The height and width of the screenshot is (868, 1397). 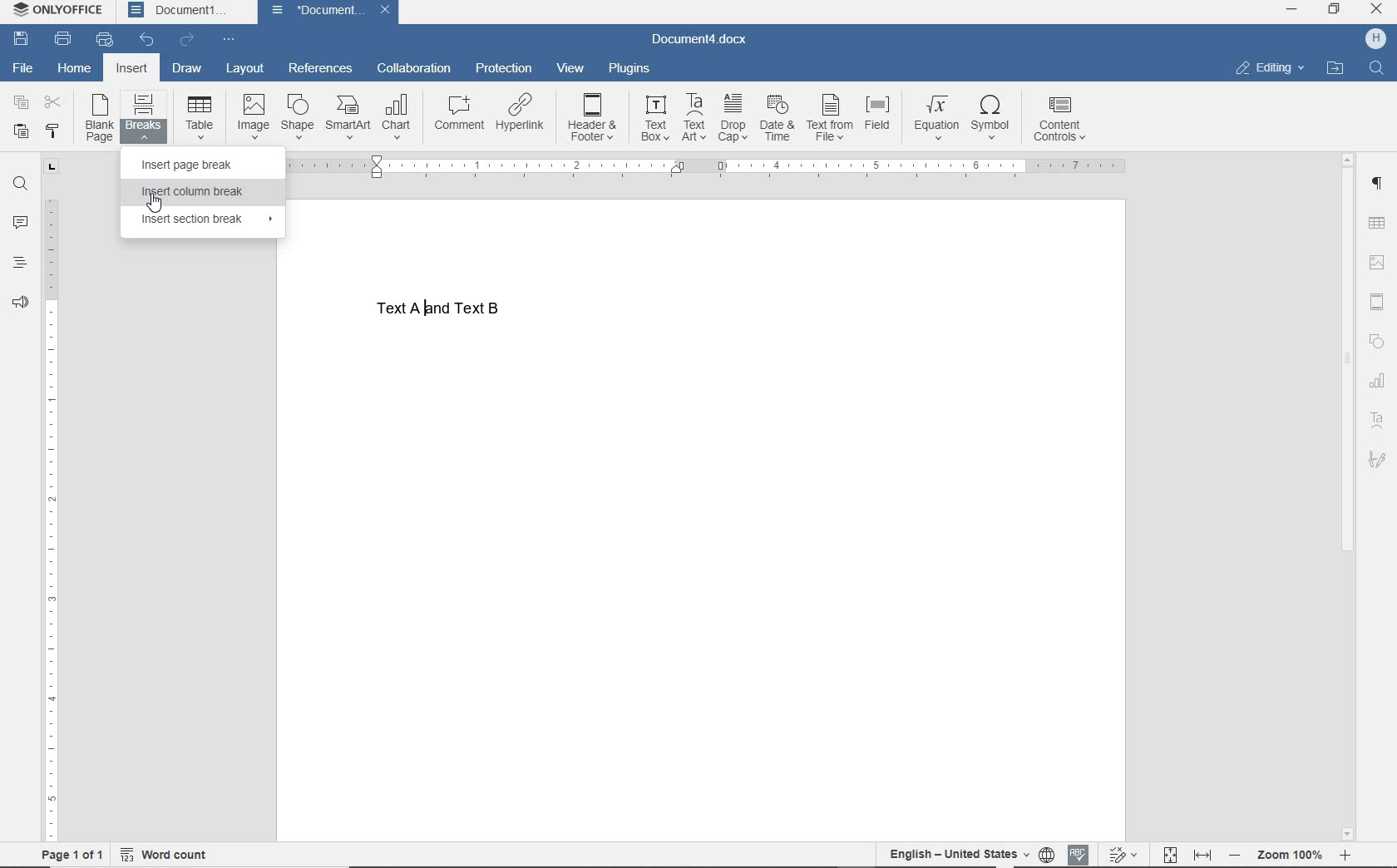 I want to click on RULER, so click(x=54, y=520).